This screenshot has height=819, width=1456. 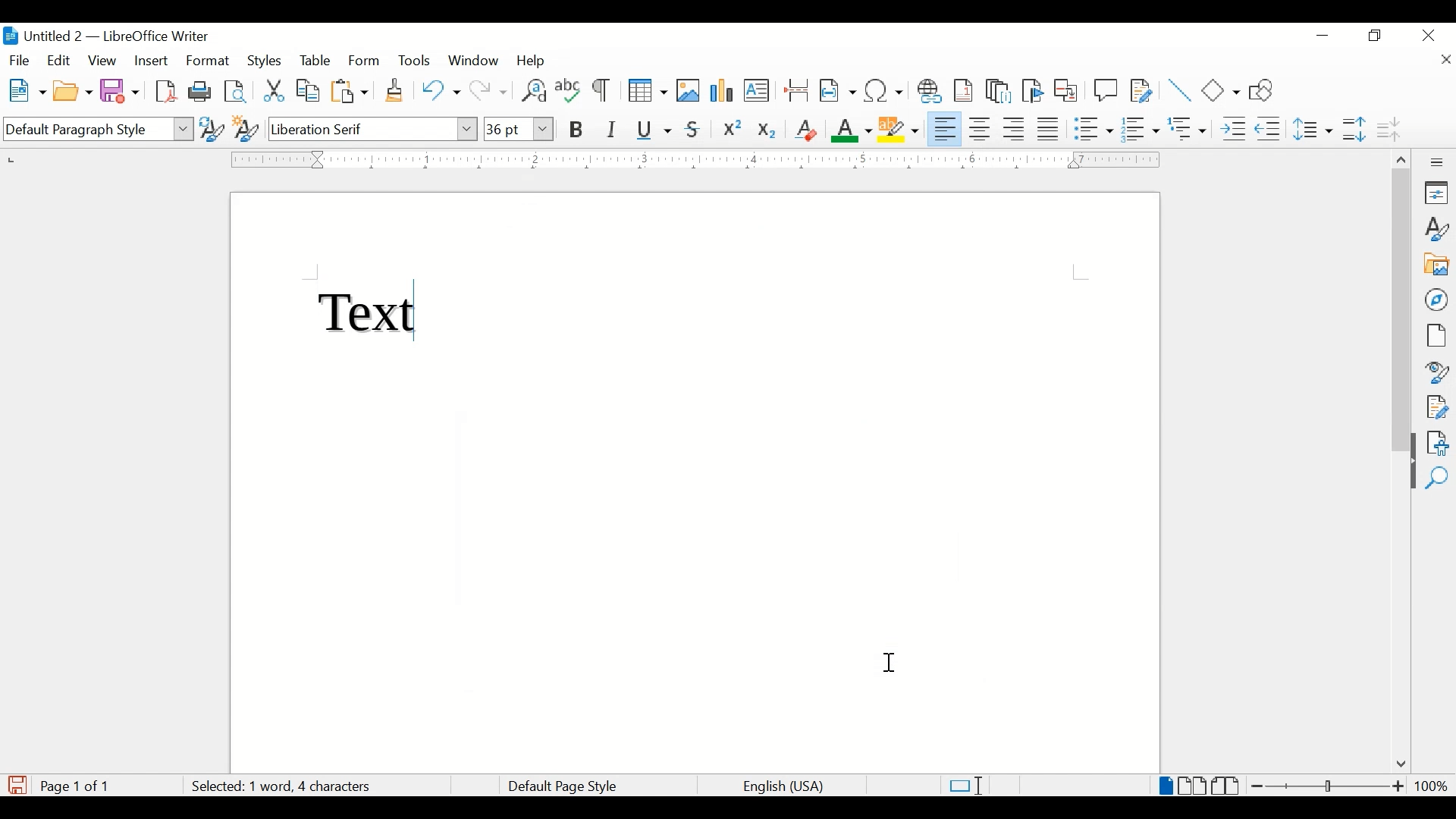 I want to click on subscript, so click(x=768, y=133).